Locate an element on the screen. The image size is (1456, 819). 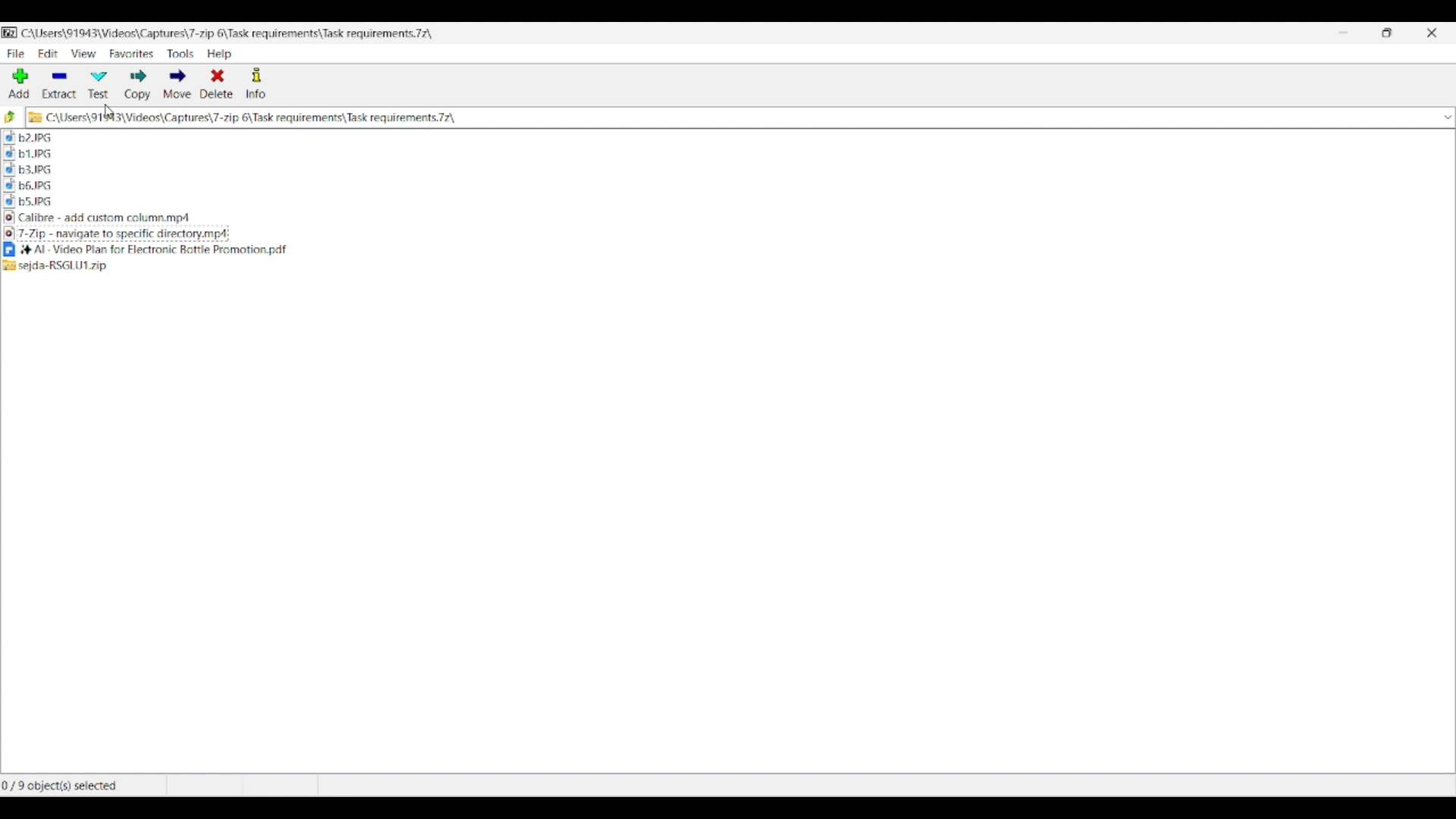
Close interface is located at coordinates (1432, 33).